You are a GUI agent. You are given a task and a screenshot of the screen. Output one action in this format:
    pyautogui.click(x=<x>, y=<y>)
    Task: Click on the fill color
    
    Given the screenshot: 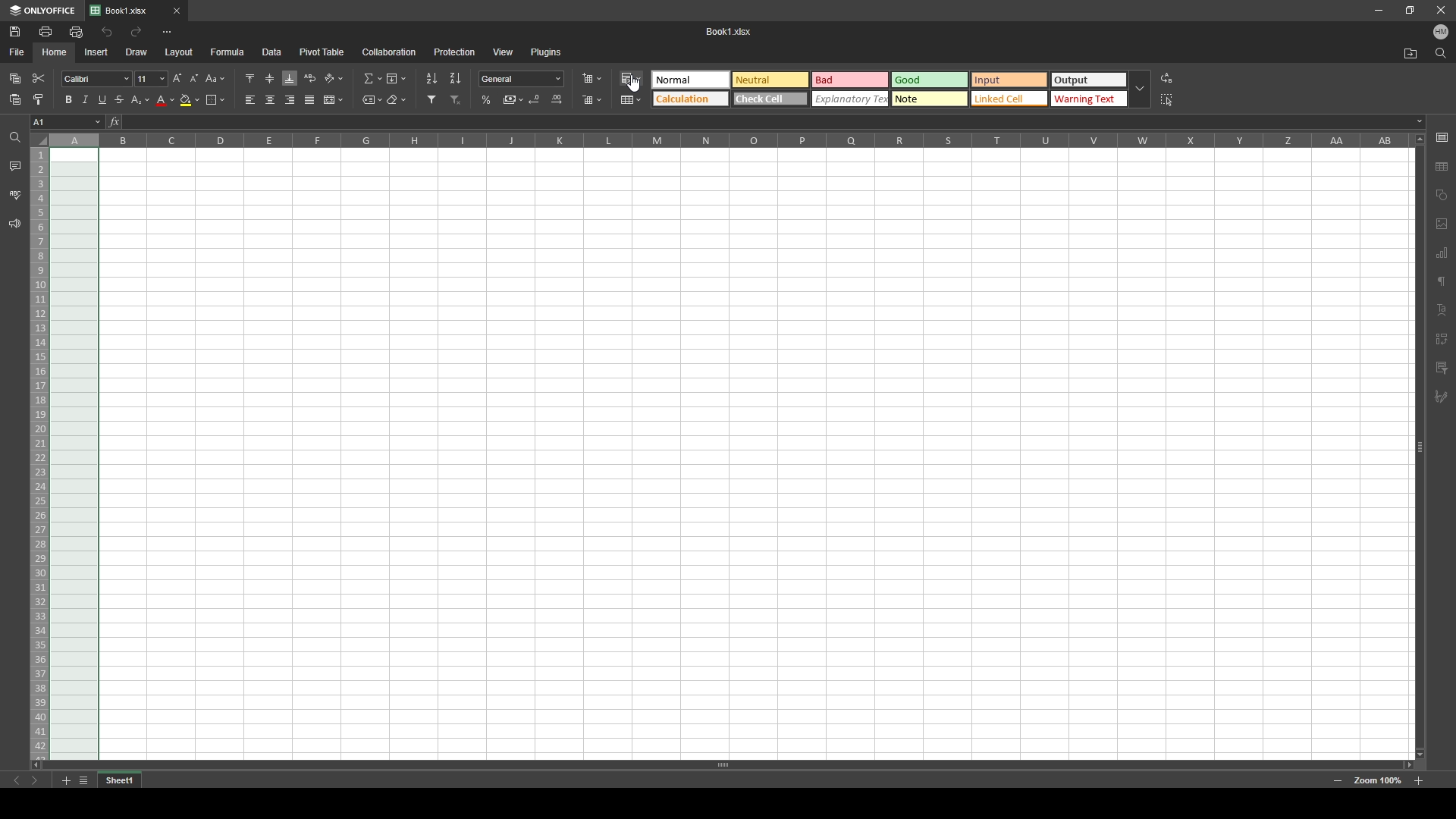 What is the action you would take?
    pyautogui.click(x=190, y=100)
    